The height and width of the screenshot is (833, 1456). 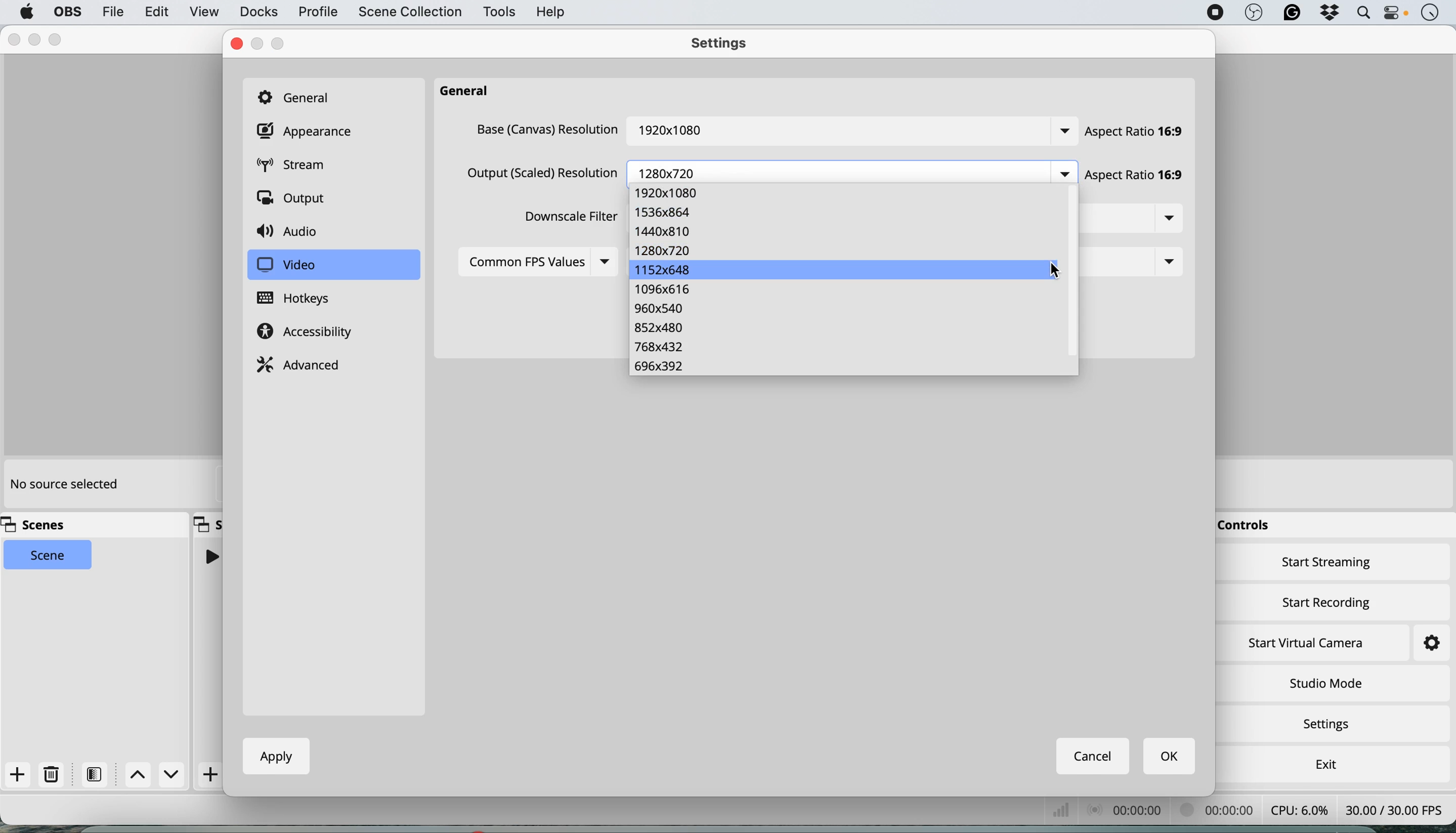 What do you see at coordinates (95, 775) in the screenshot?
I see `filters` at bounding box center [95, 775].